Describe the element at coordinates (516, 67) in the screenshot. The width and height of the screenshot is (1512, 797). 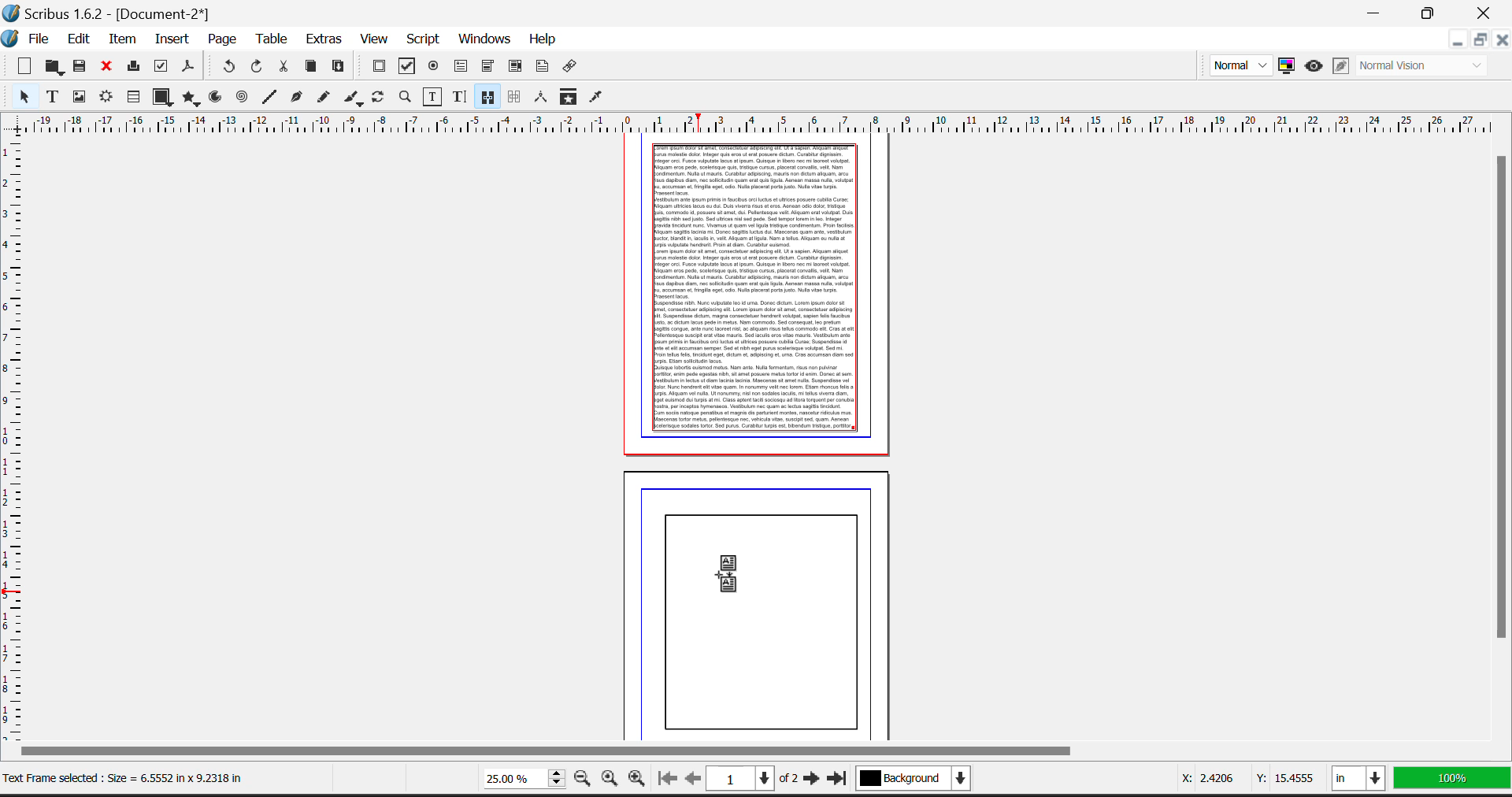
I see `PDF List Box` at that location.